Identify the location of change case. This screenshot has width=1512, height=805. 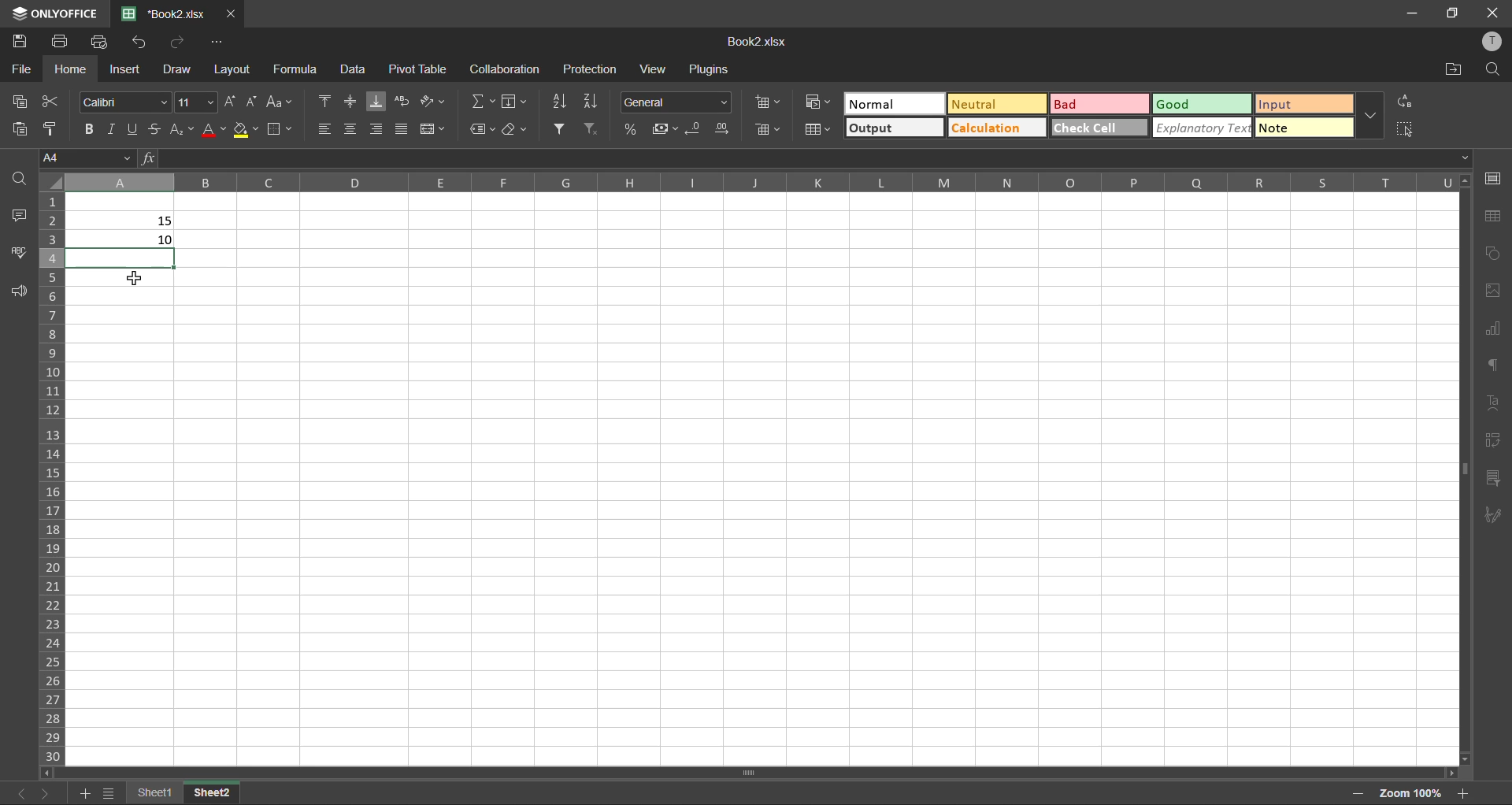
(277, 101).